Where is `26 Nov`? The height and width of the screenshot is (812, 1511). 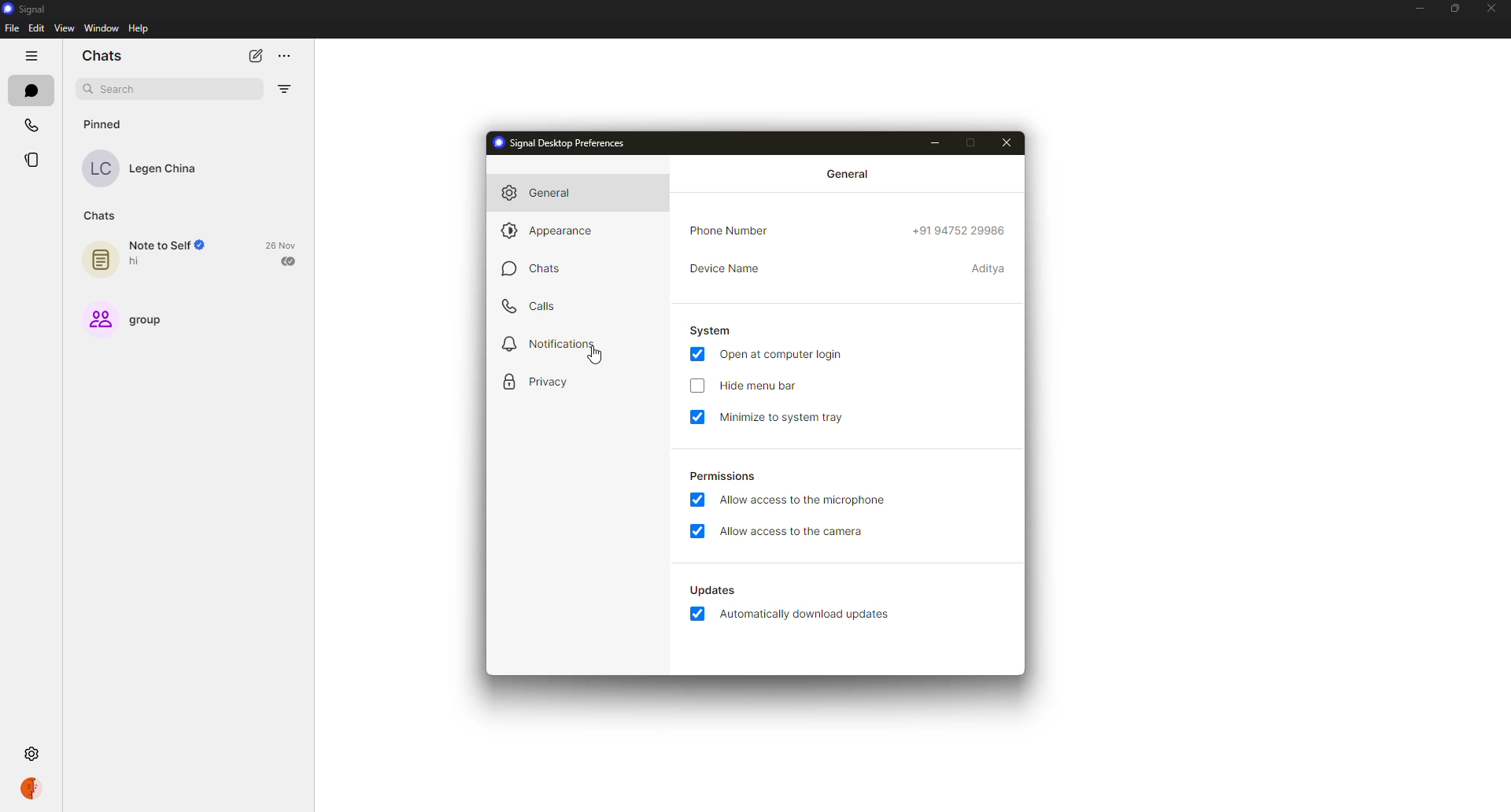
26 Nov is located at coordinates (281, 243).